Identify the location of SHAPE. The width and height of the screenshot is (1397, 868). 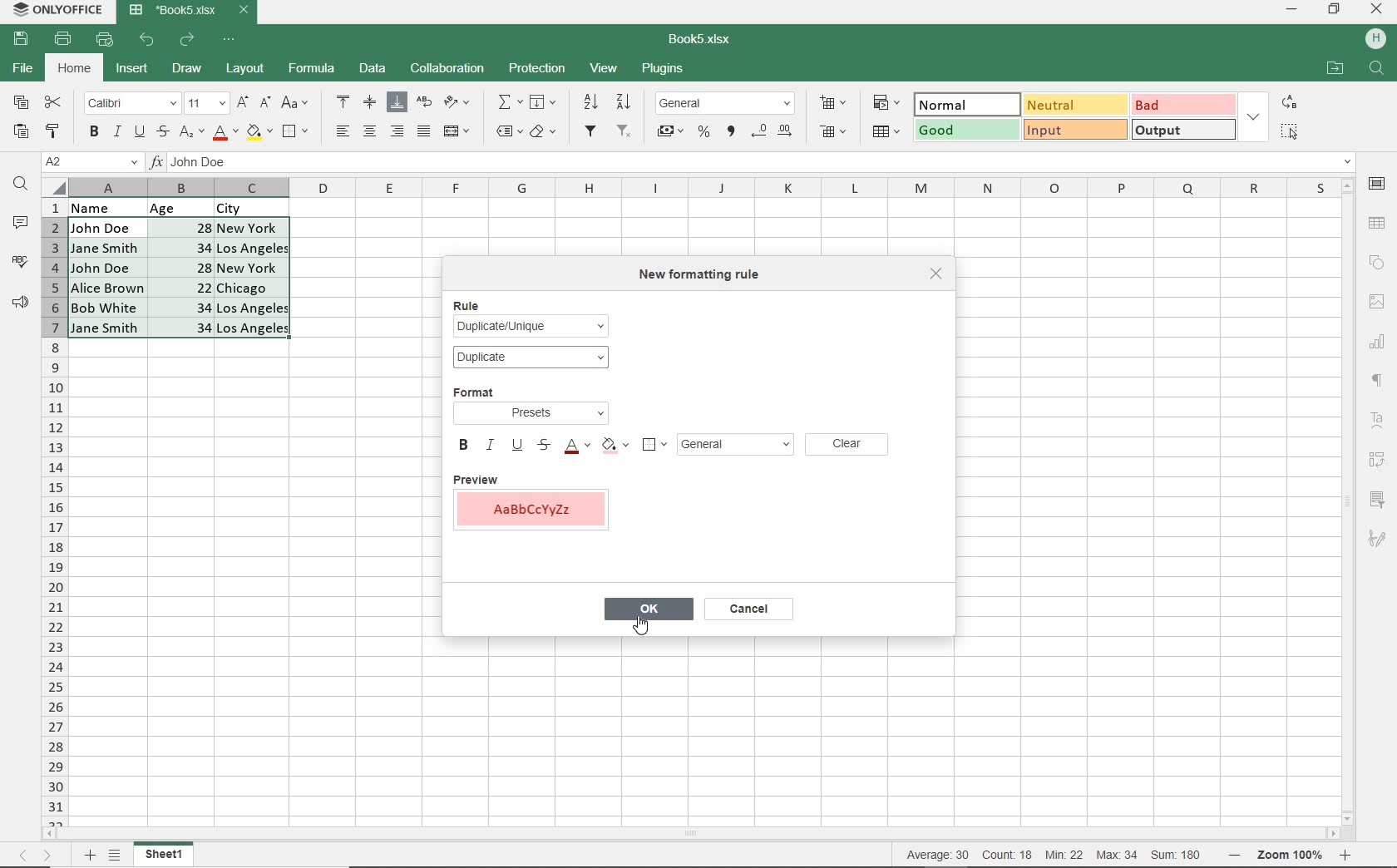
(1376, 263).